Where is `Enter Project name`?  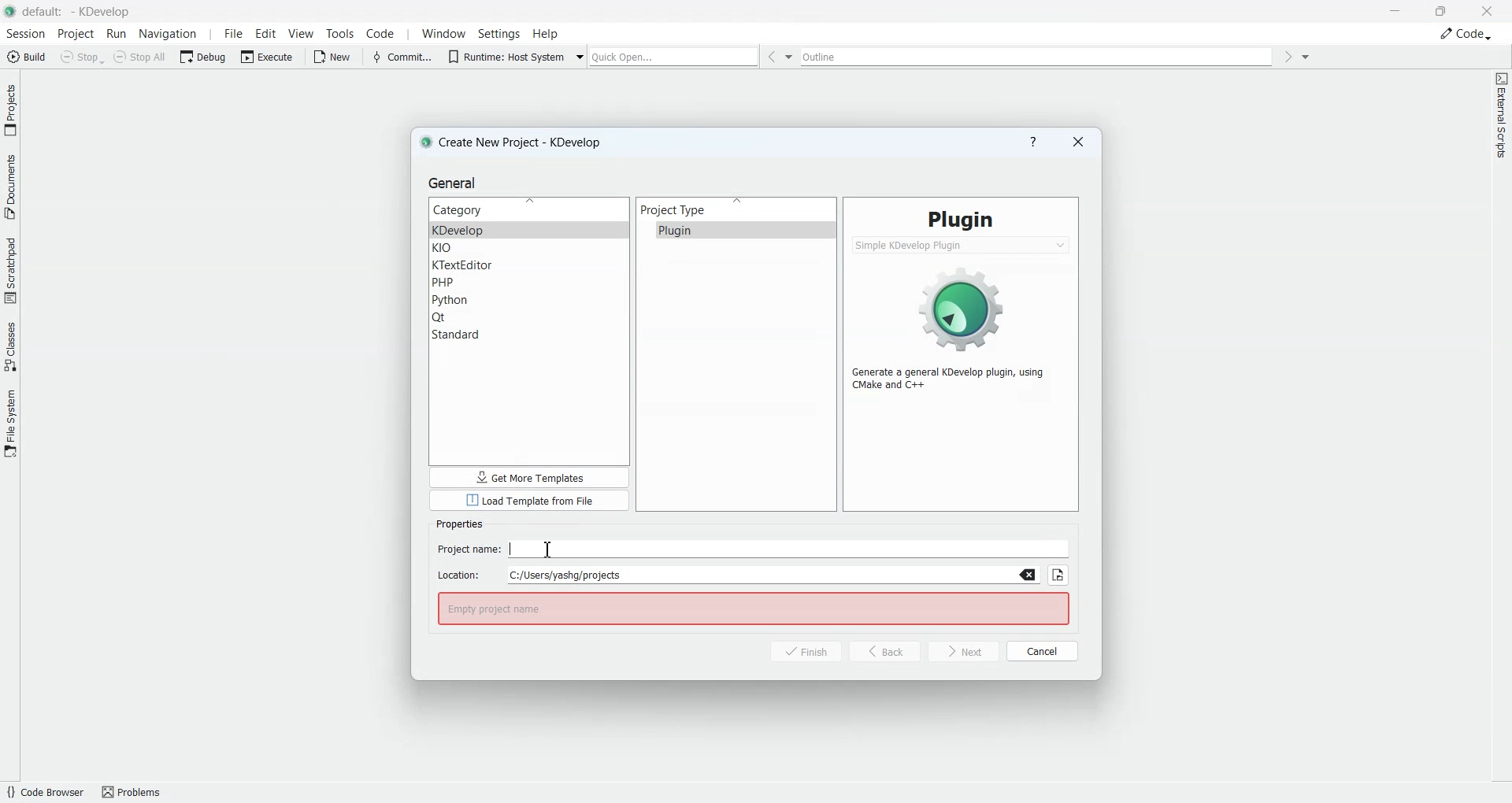 Enter Project name is located at coordinates (754, 550).